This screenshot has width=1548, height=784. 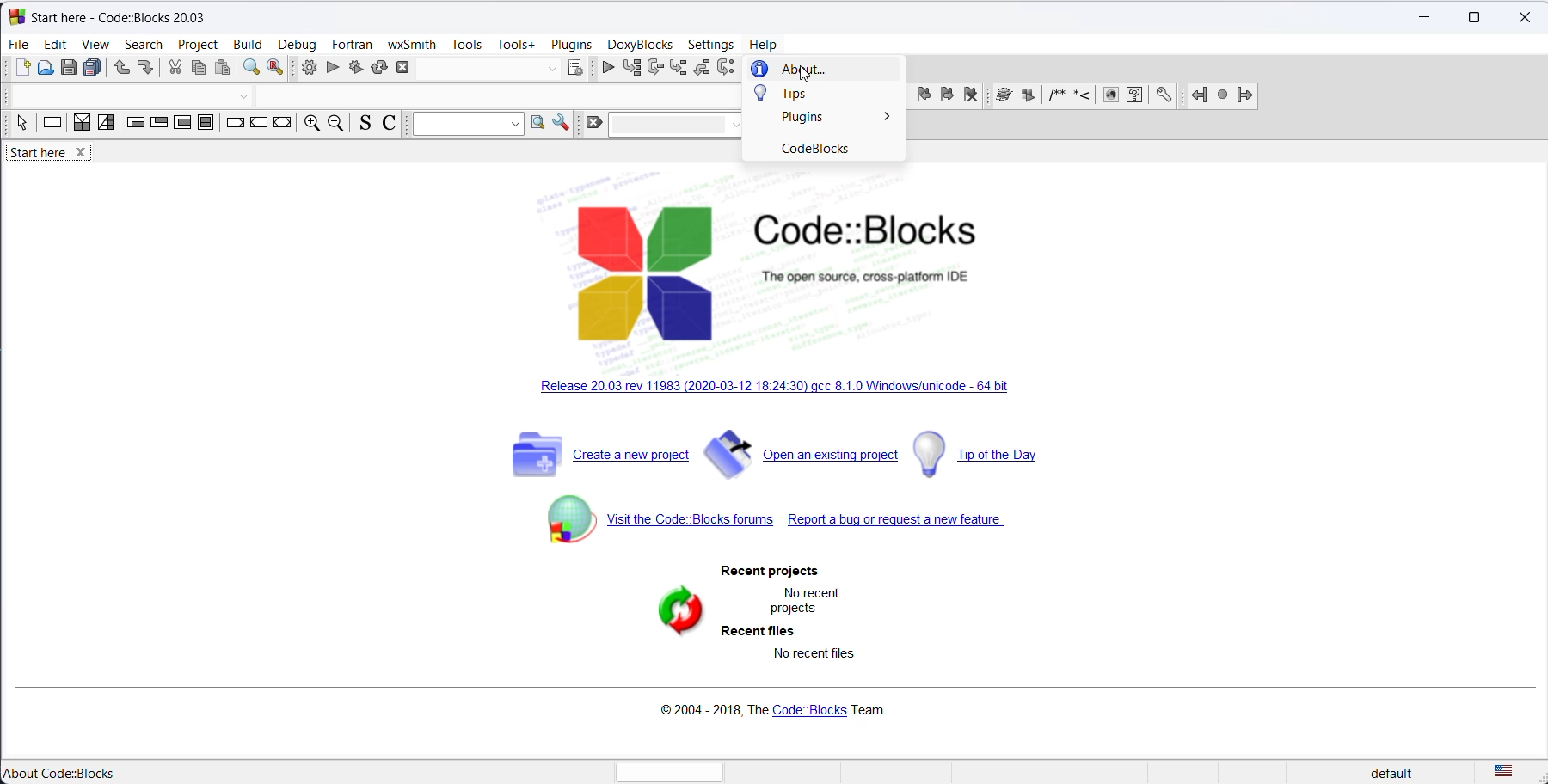 I want to click on Search, so click(x=144, y=44).